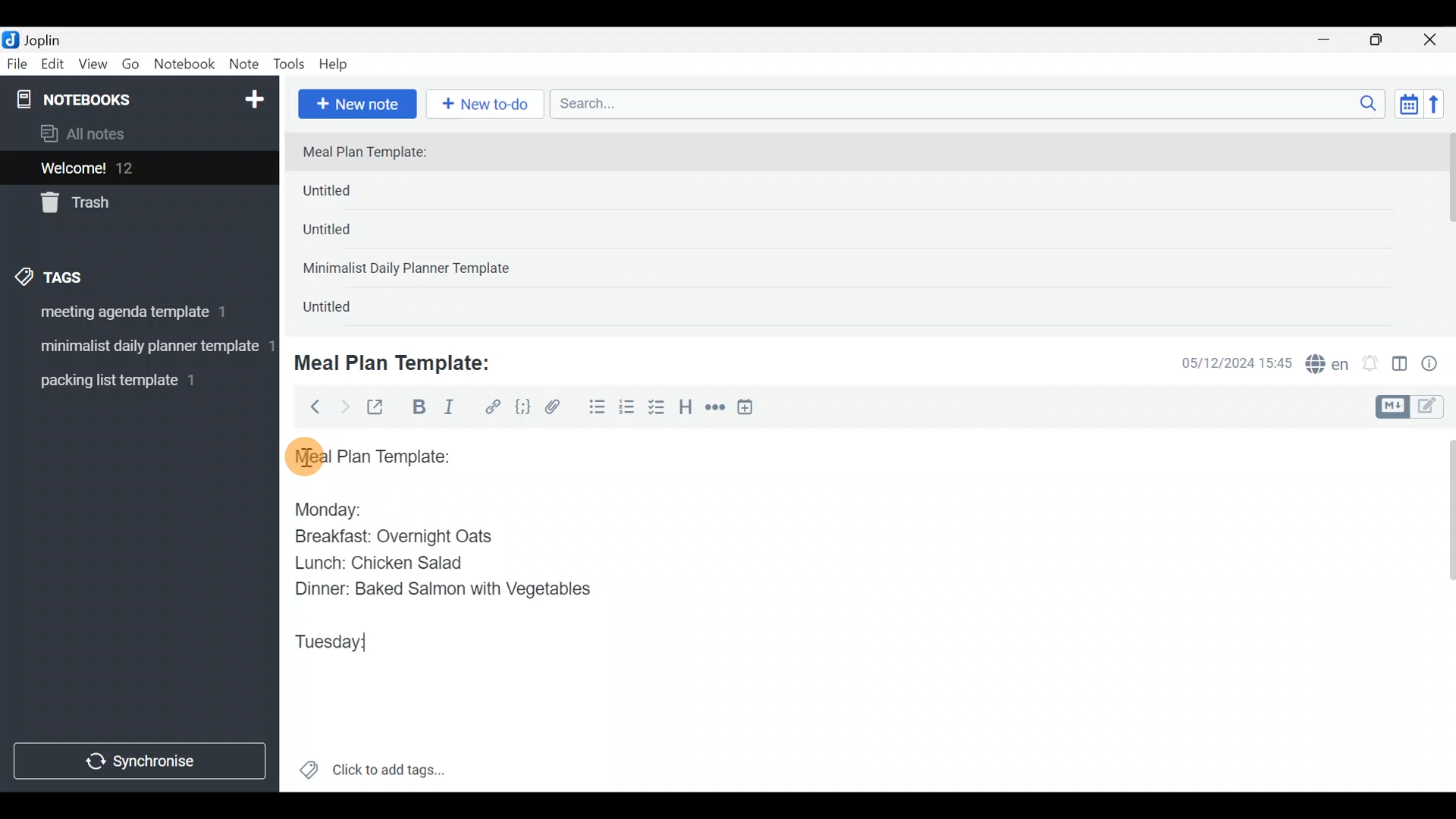 This screenshot has width=1456, height=819. I want to click on Tuesday:, so click(330, 643).